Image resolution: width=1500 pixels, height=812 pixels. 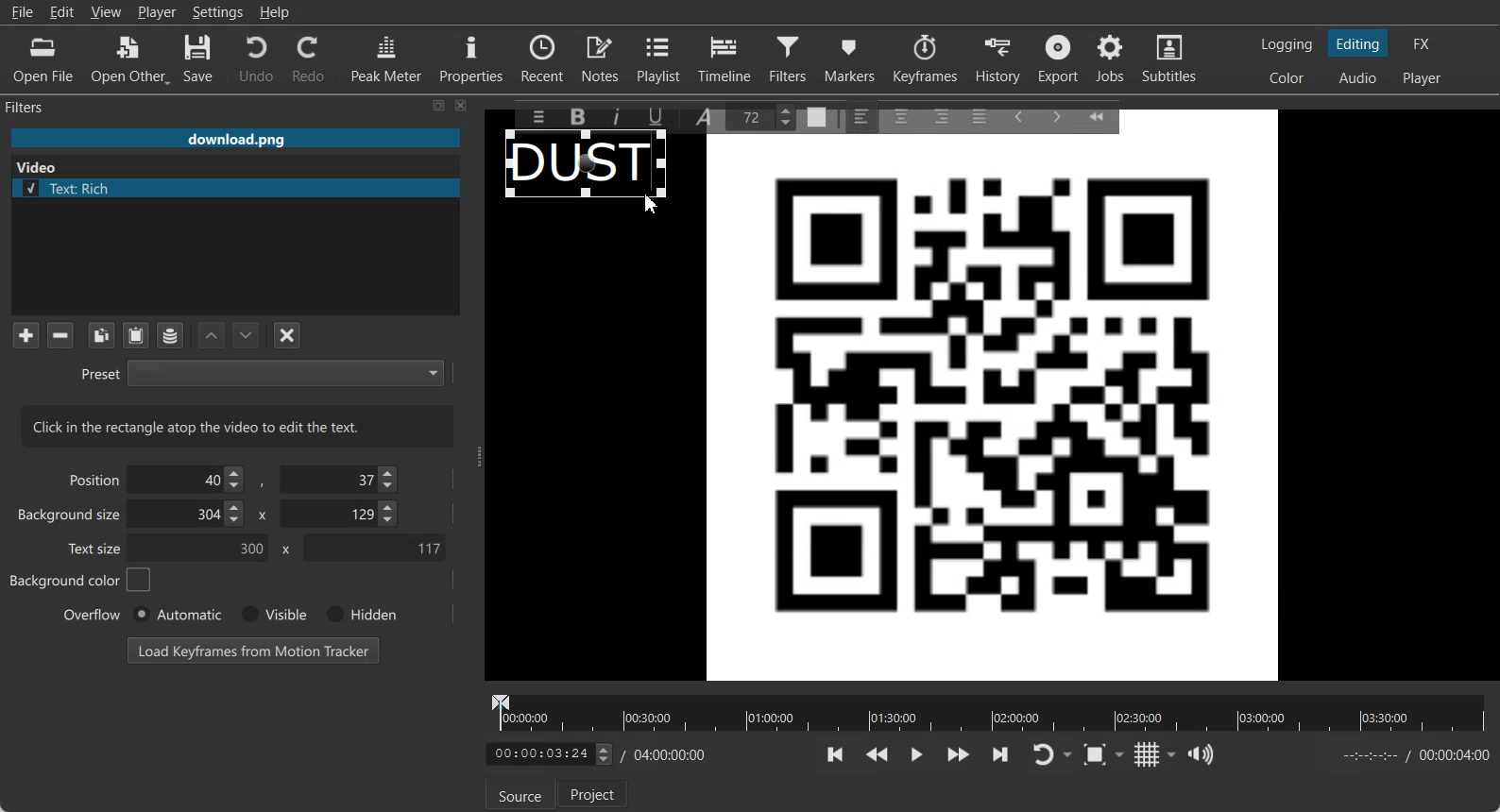 I want to click on Paste Filters, so click(x=136, y=336).